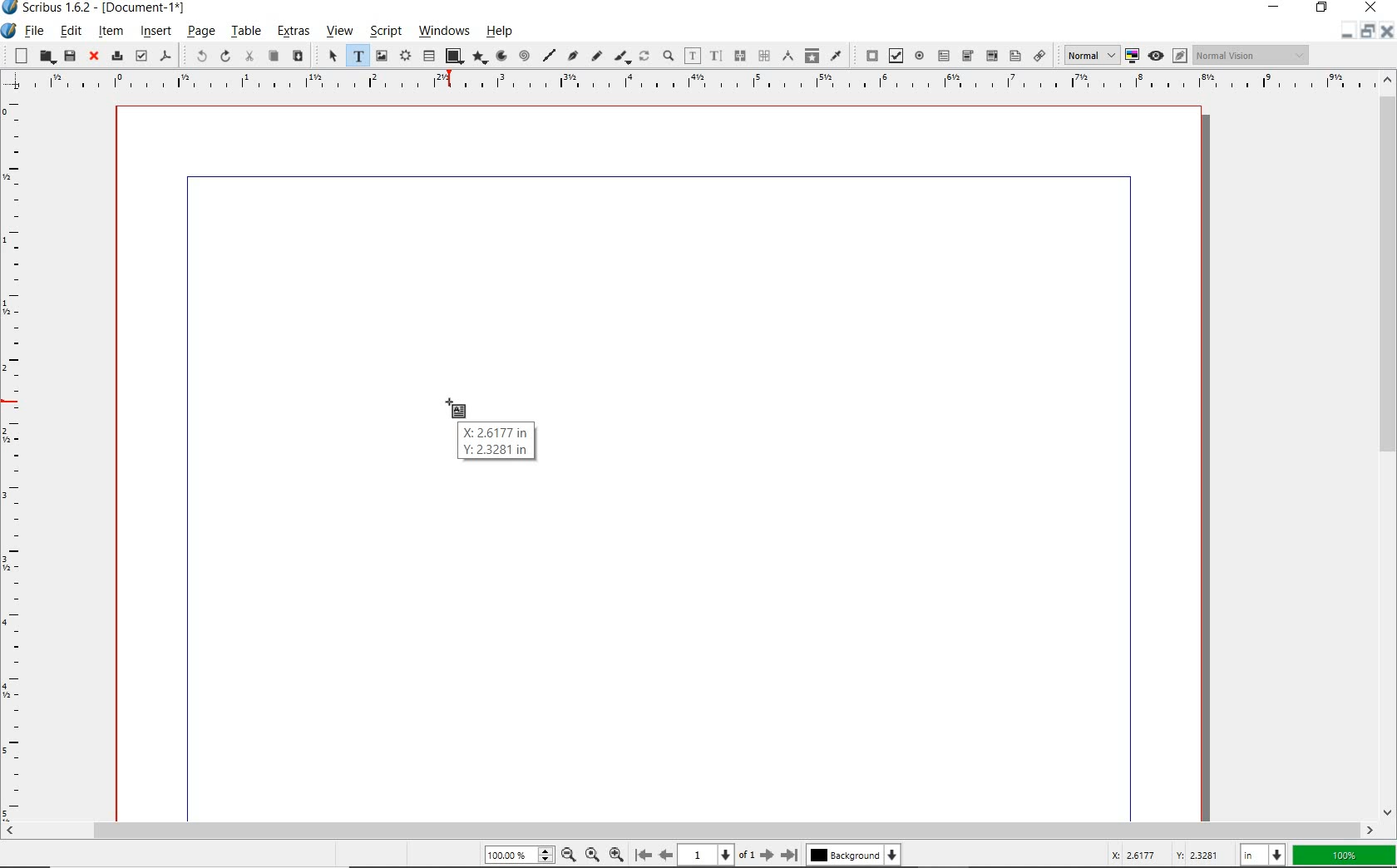 This screenshot has width=1397, height=868. Describe the element at coordinates (836, 55) in the screenshot. I see `eye dropper` at that location.